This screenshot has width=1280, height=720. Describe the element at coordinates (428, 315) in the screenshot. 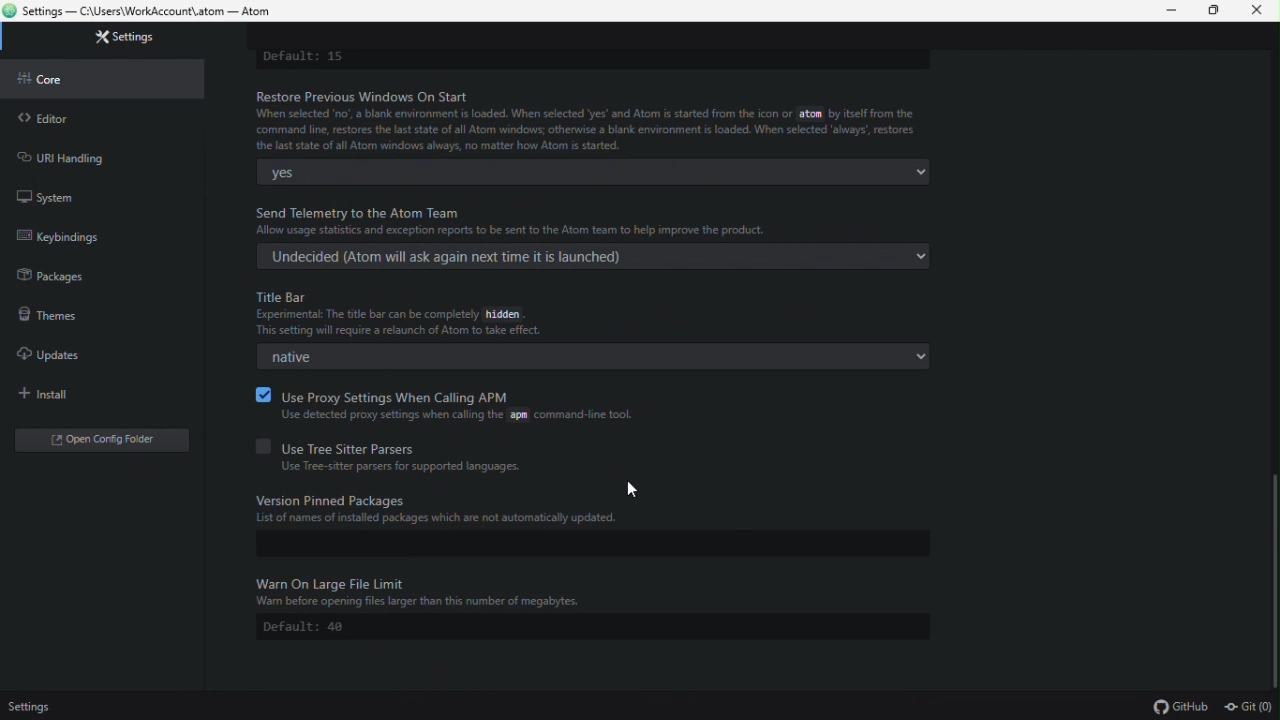

I see `Title Bar` at that location.